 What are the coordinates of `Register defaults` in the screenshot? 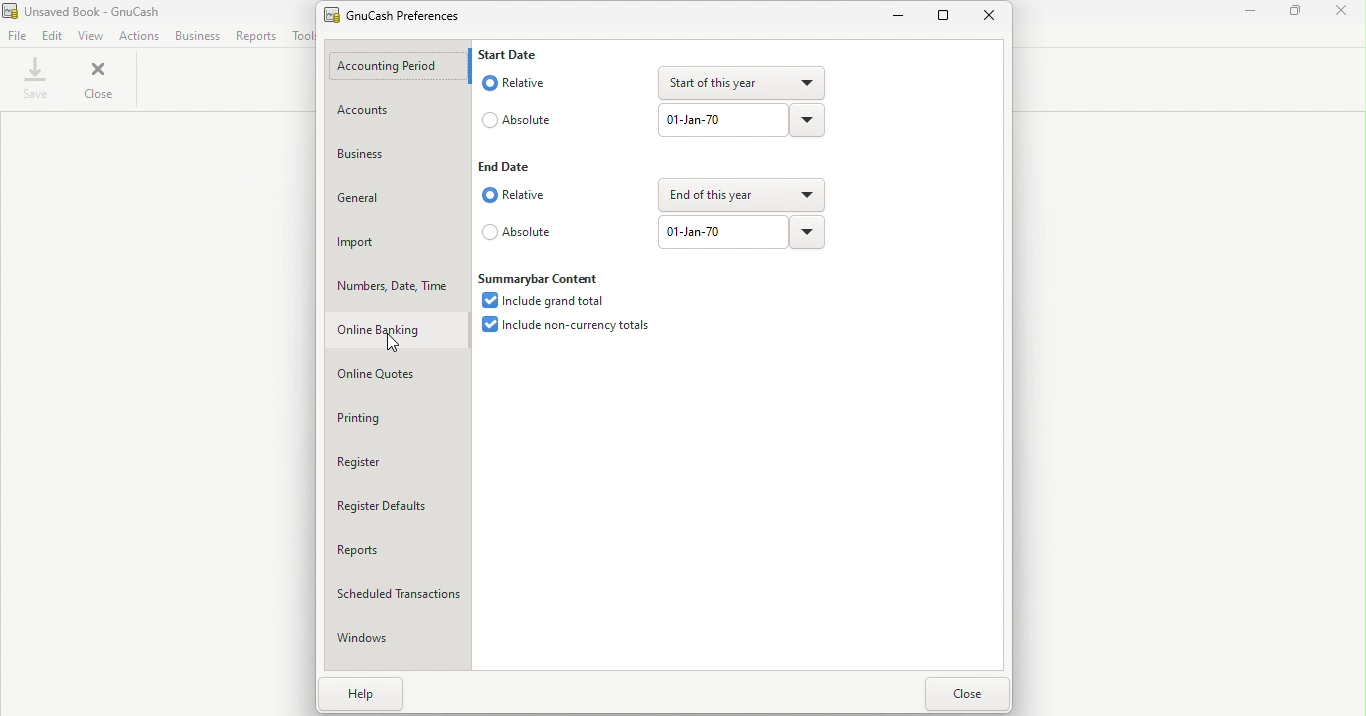 It's located at (399, 508).